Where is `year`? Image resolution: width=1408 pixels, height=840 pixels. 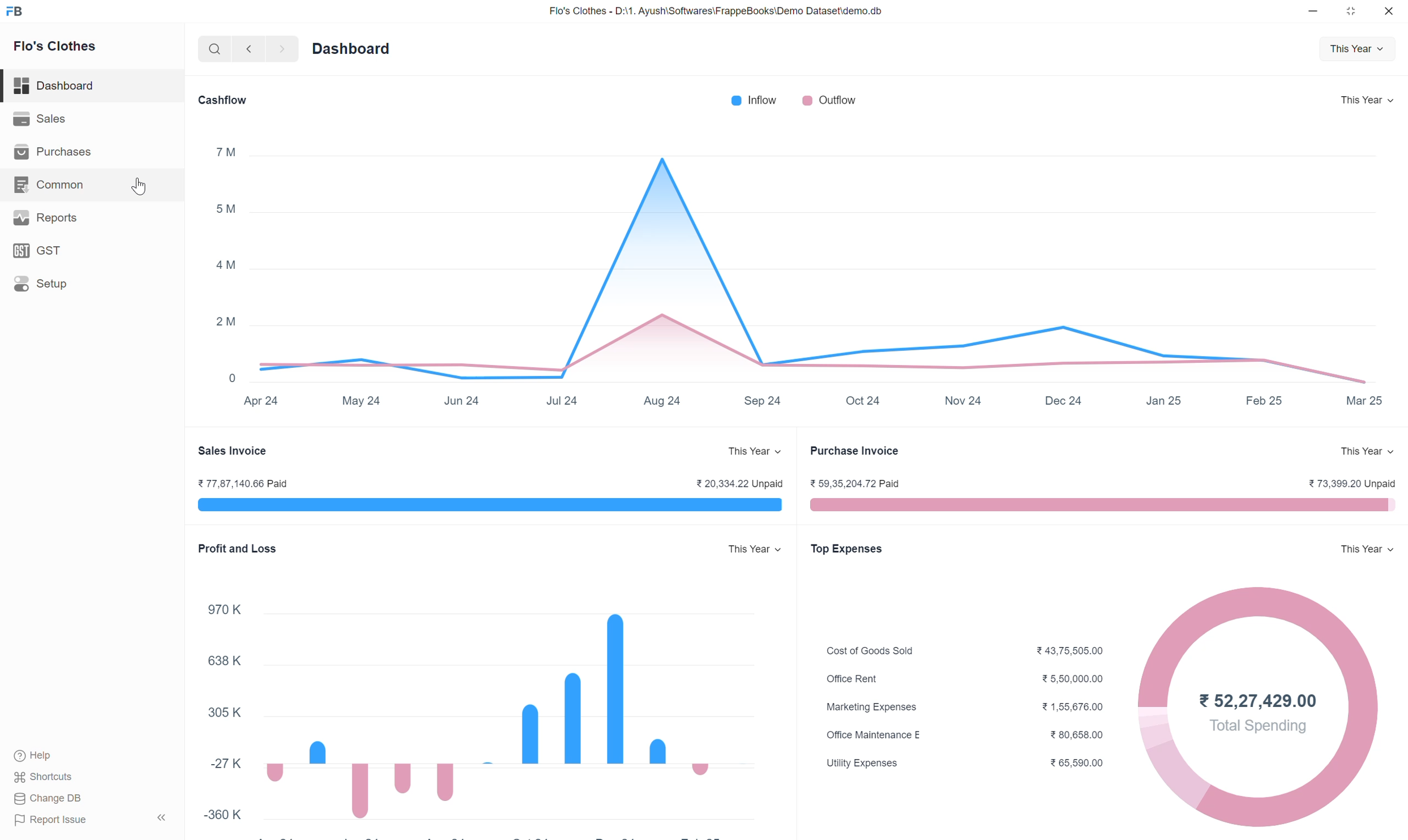
year is located at coordinates (1367, 549).